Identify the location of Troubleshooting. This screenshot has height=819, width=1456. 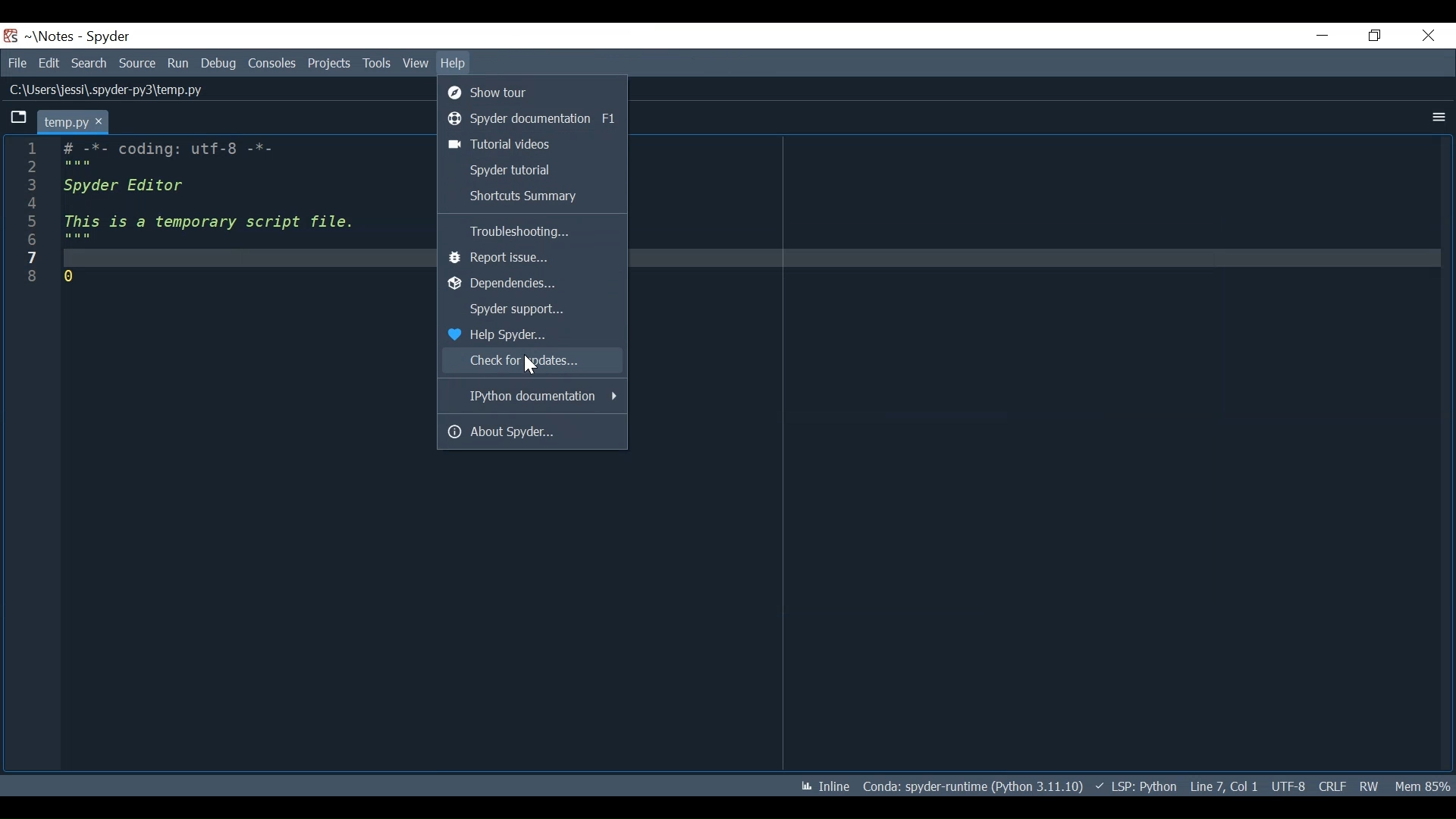
(529, 231).